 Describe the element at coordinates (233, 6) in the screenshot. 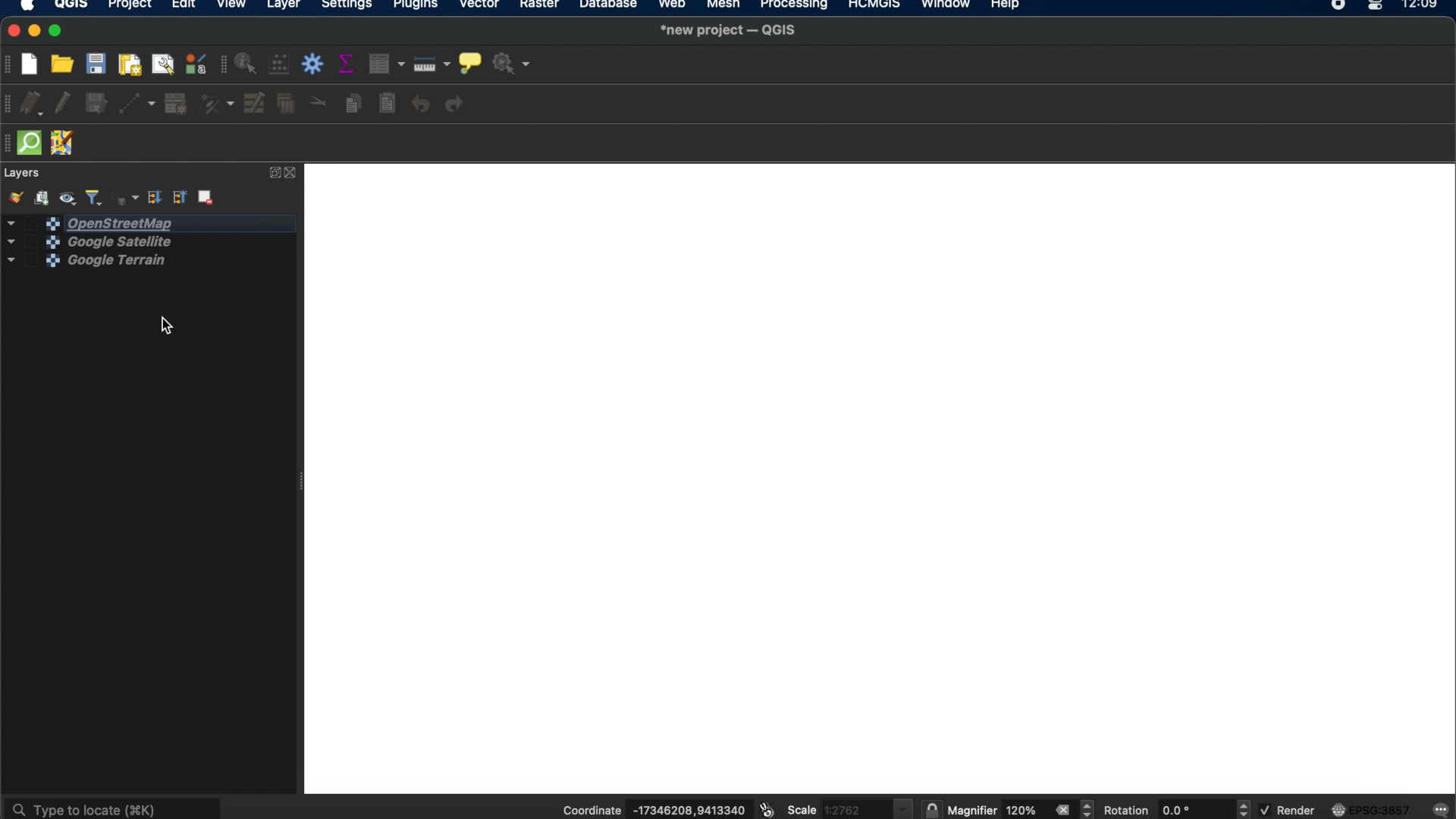

I see `view` at that location.